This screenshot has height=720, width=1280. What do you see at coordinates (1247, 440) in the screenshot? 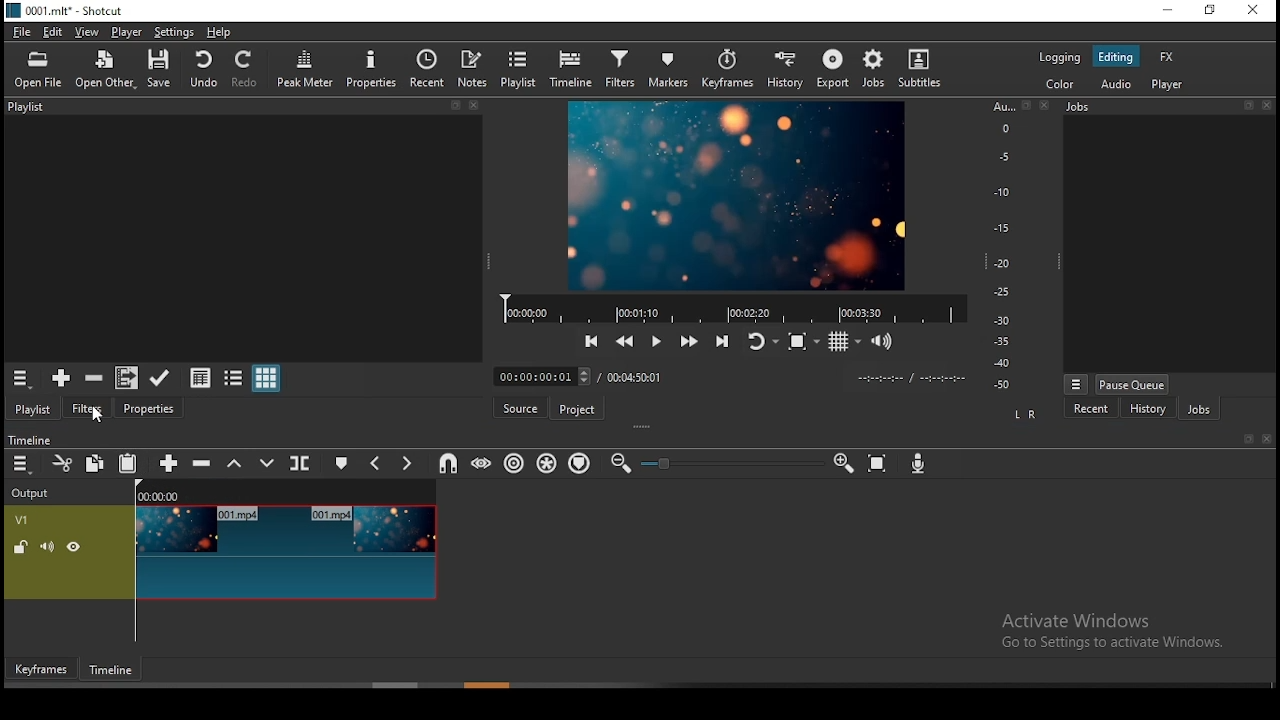
I see `book mark` at bounding box center [1247, 440].